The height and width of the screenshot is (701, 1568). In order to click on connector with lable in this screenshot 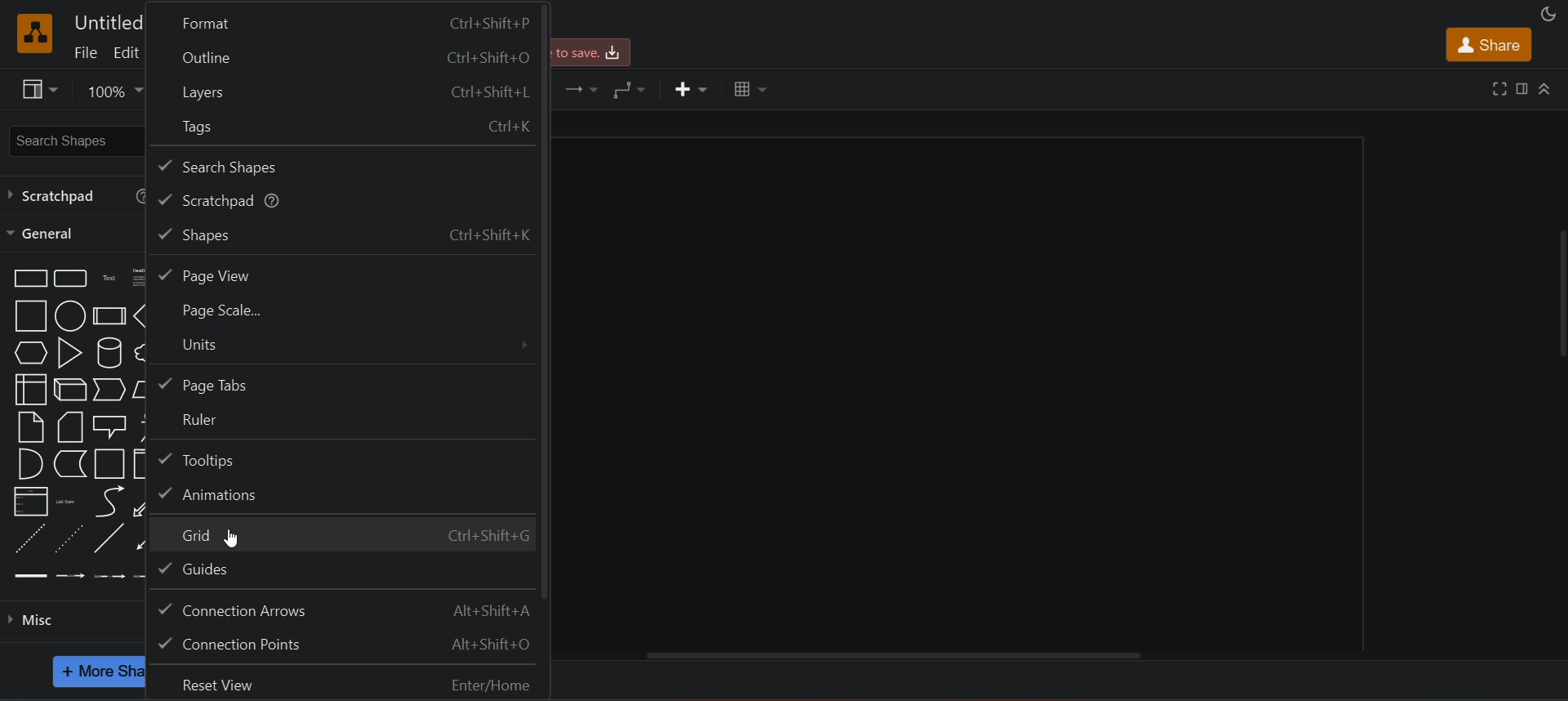, I will do `click(69, 576)`.